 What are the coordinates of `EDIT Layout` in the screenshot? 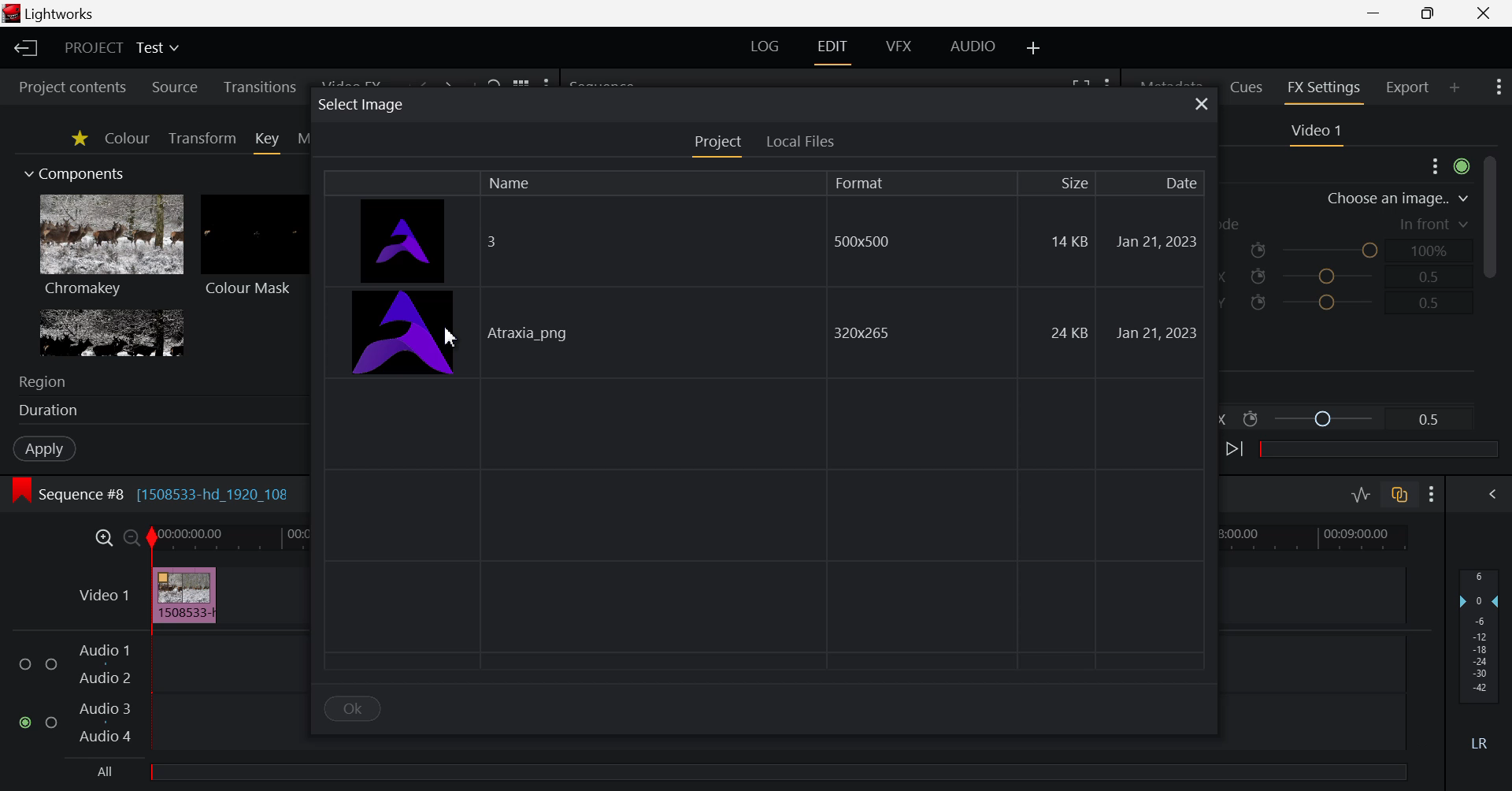 It's located at (832, 50).